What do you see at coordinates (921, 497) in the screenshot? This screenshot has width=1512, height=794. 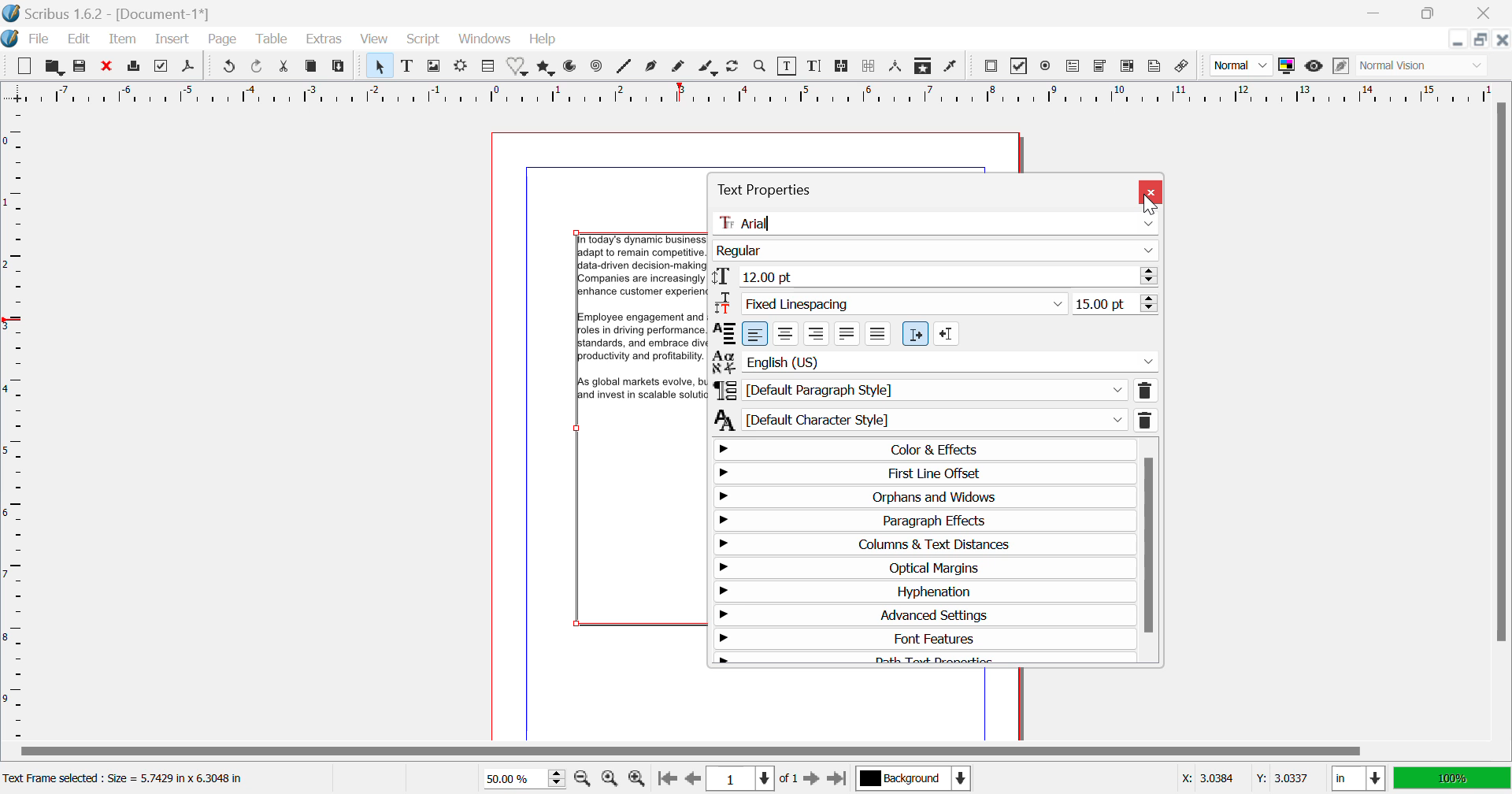 I see `Orphans & Windows` at bounding box center [921, 497].